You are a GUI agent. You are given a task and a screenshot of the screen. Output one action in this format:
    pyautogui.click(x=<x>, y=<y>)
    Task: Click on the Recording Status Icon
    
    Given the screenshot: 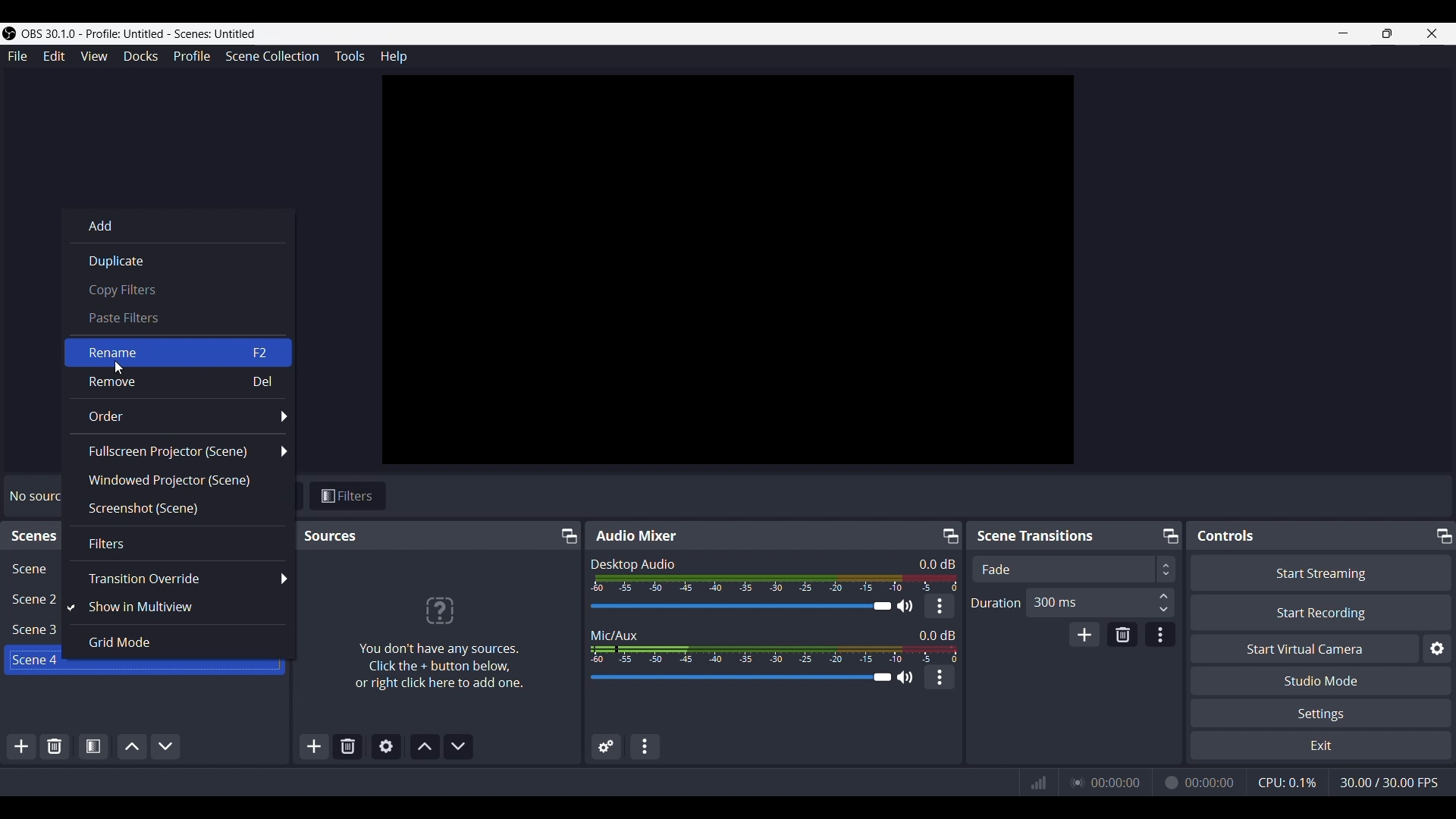 What is the action you would take?
    pyautogui.click(x=1169, y=783)
    